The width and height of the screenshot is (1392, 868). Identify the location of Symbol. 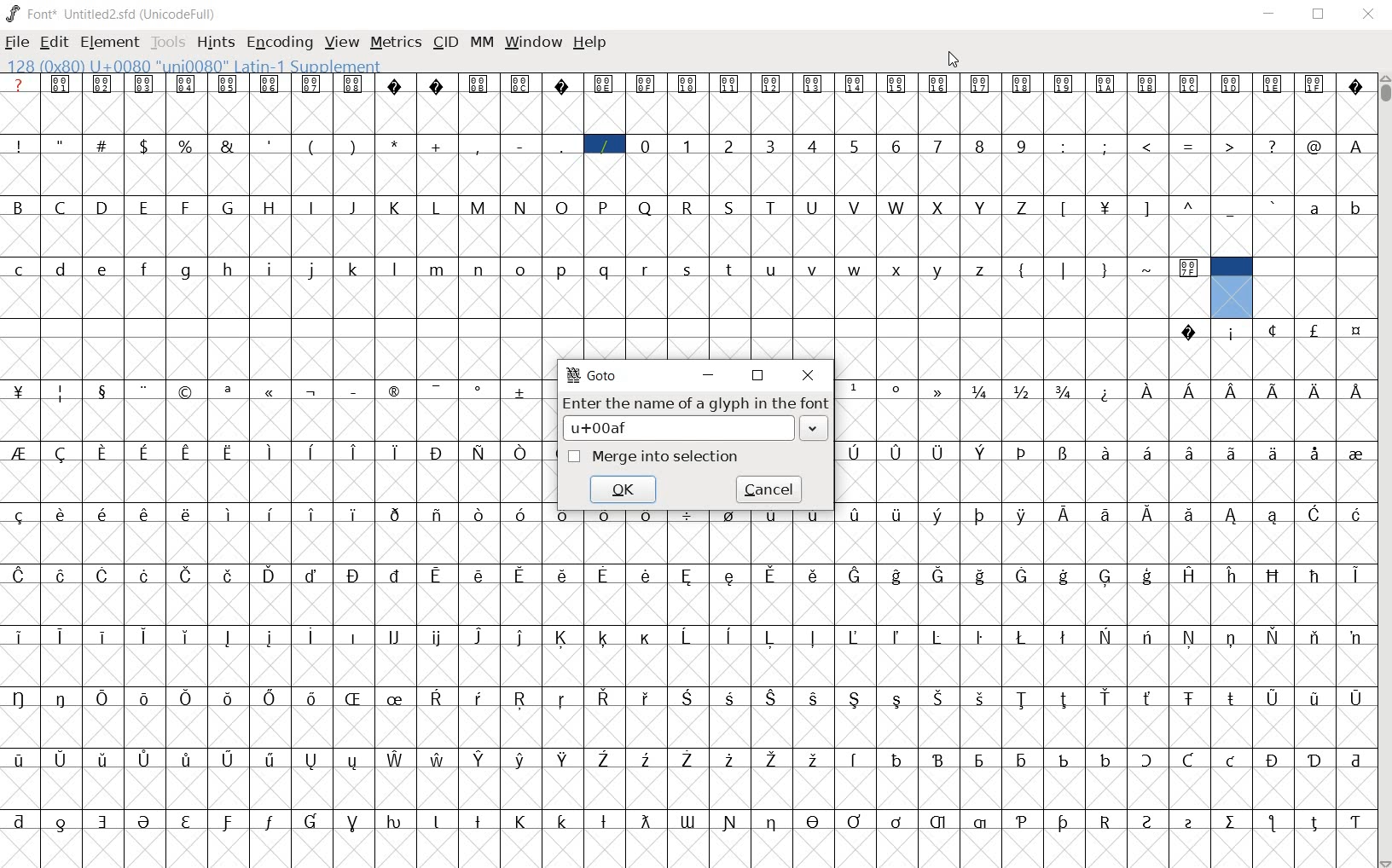
(1230, 574).